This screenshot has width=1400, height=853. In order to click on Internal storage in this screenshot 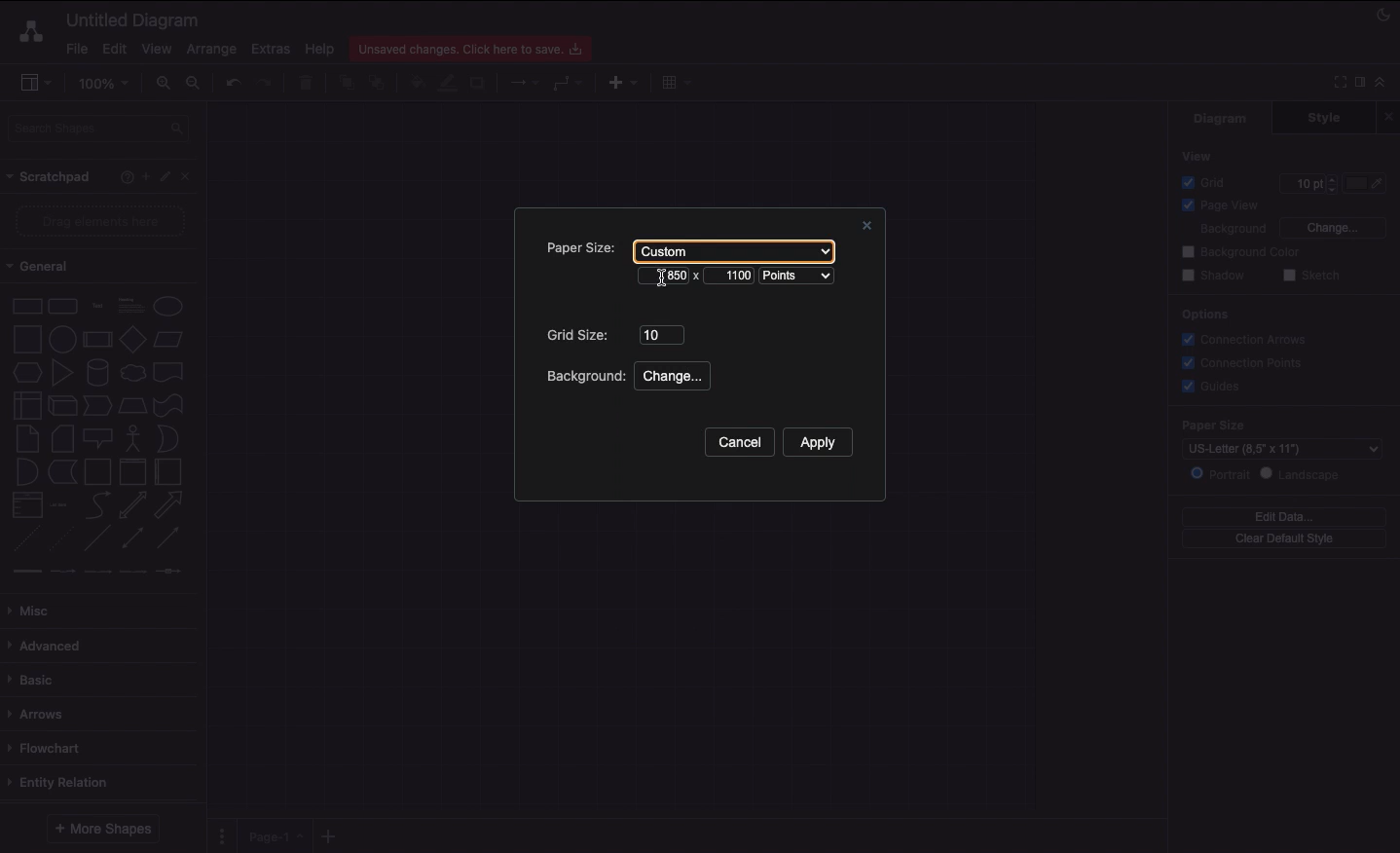, I will do `click(26, 404)`.